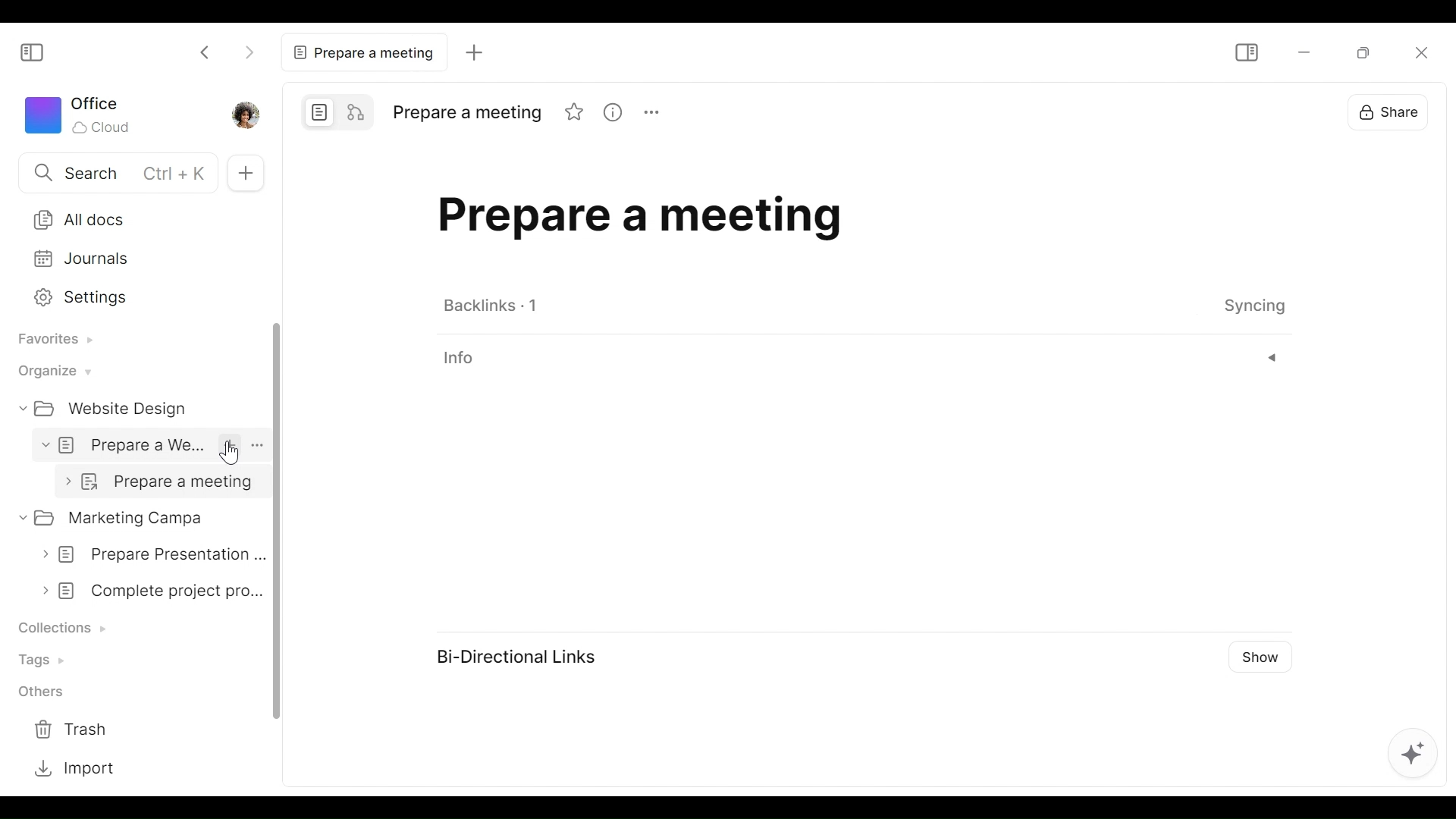 The width and height of the screenshot is (1456, 819). Describe the element at coordinates (30, 54) in the screenshot. I see `Show/Hide Sidebar` at that location.